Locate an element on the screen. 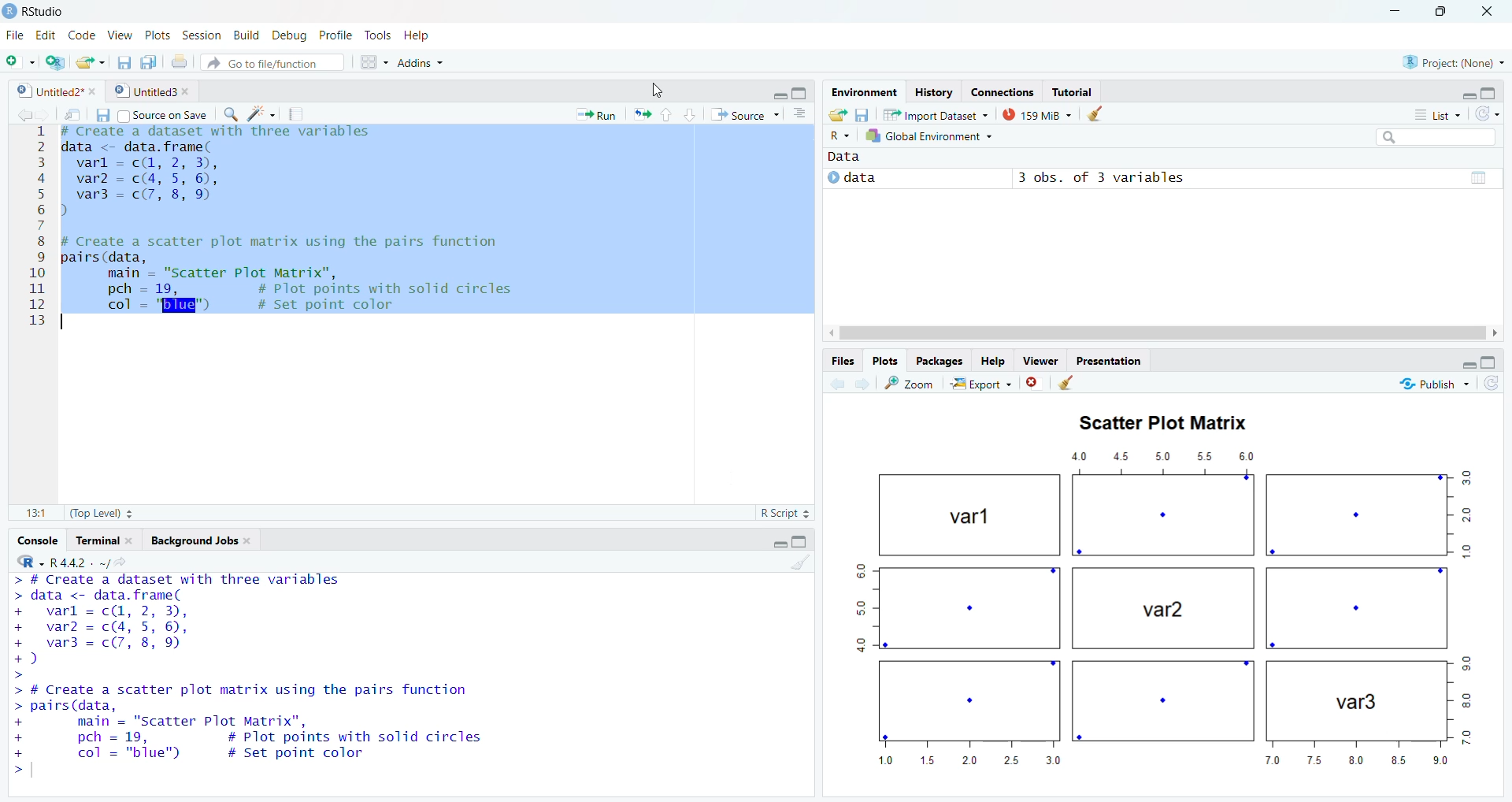 This screenshot has width=1512, height=802. mINIMIZE MAXIMIZE BUTTON is located at coordinates (791, 543).